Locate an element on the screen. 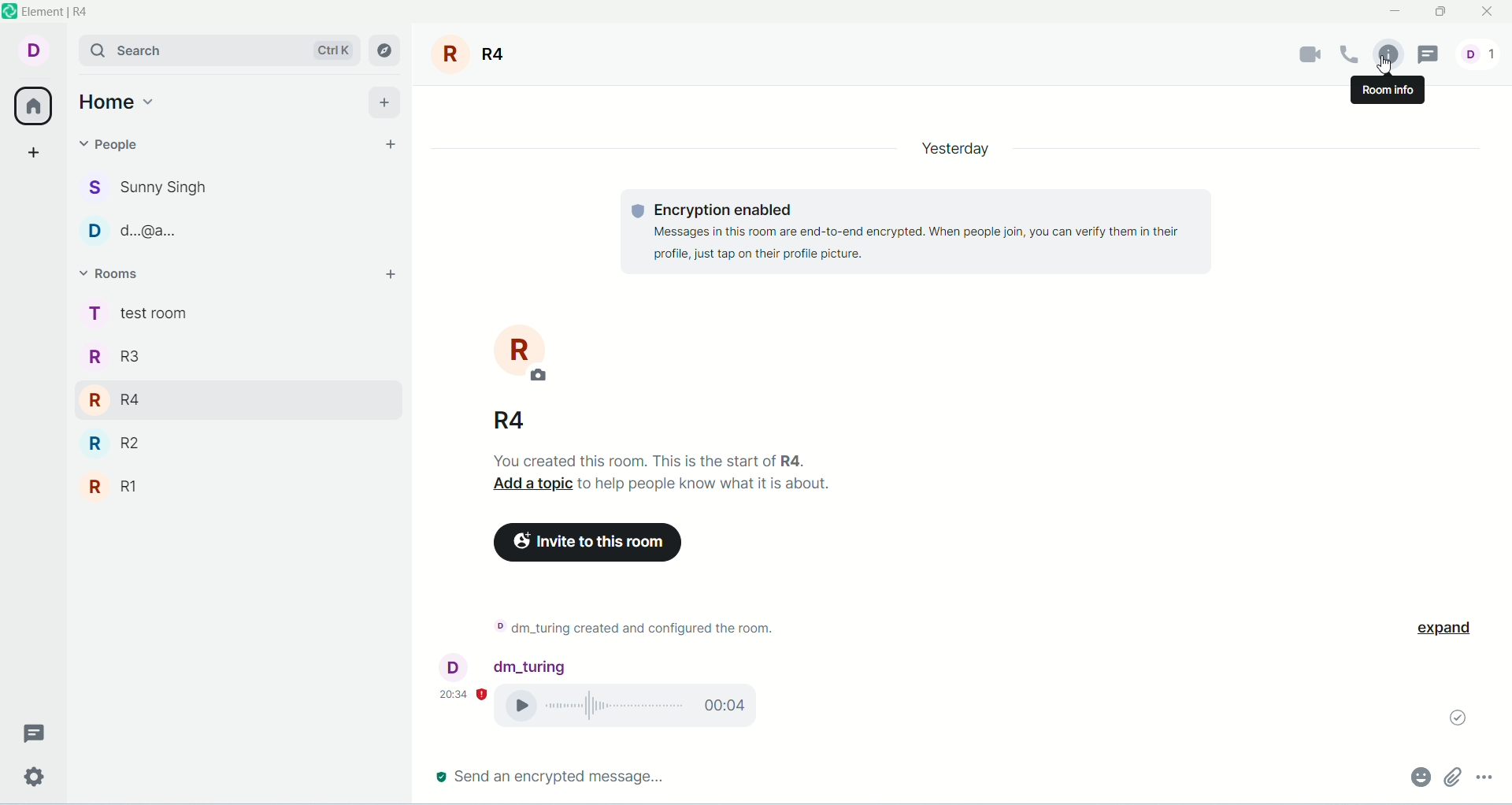 This screenshot has height=805, width=1512. options is located at coordinates (1482, 777).